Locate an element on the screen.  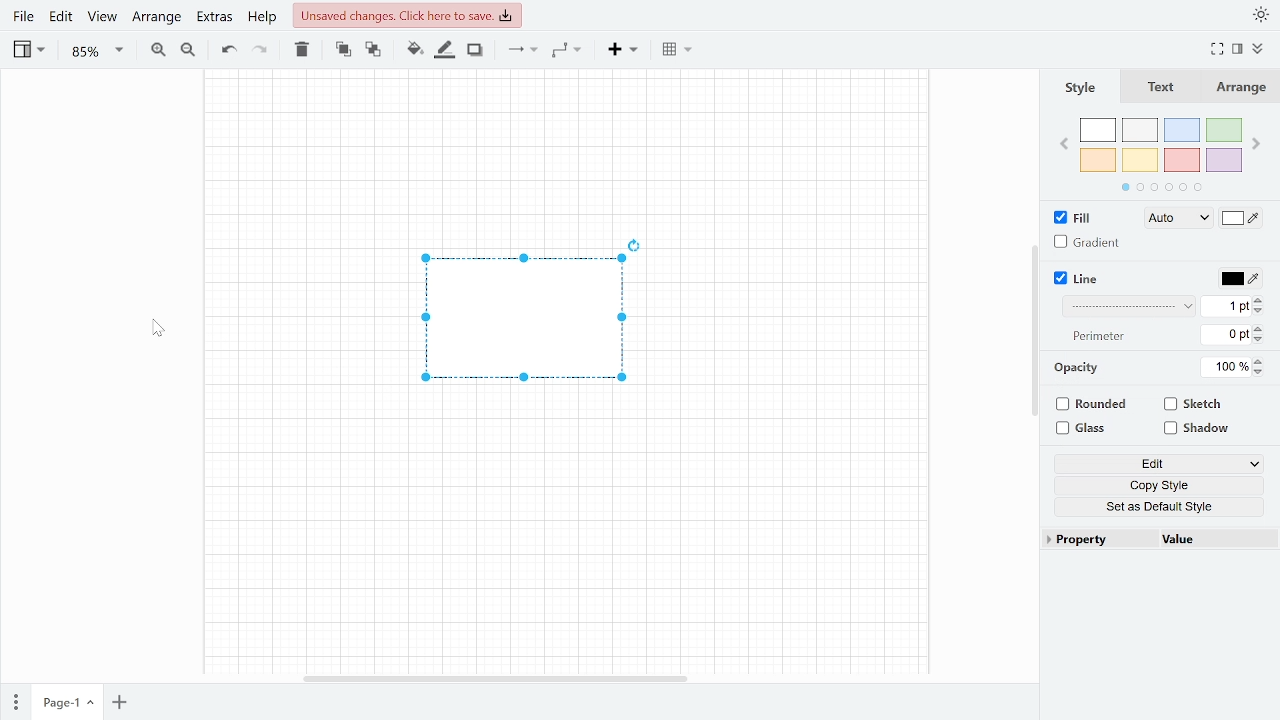
Previous is located at coordinates (1065, 145).